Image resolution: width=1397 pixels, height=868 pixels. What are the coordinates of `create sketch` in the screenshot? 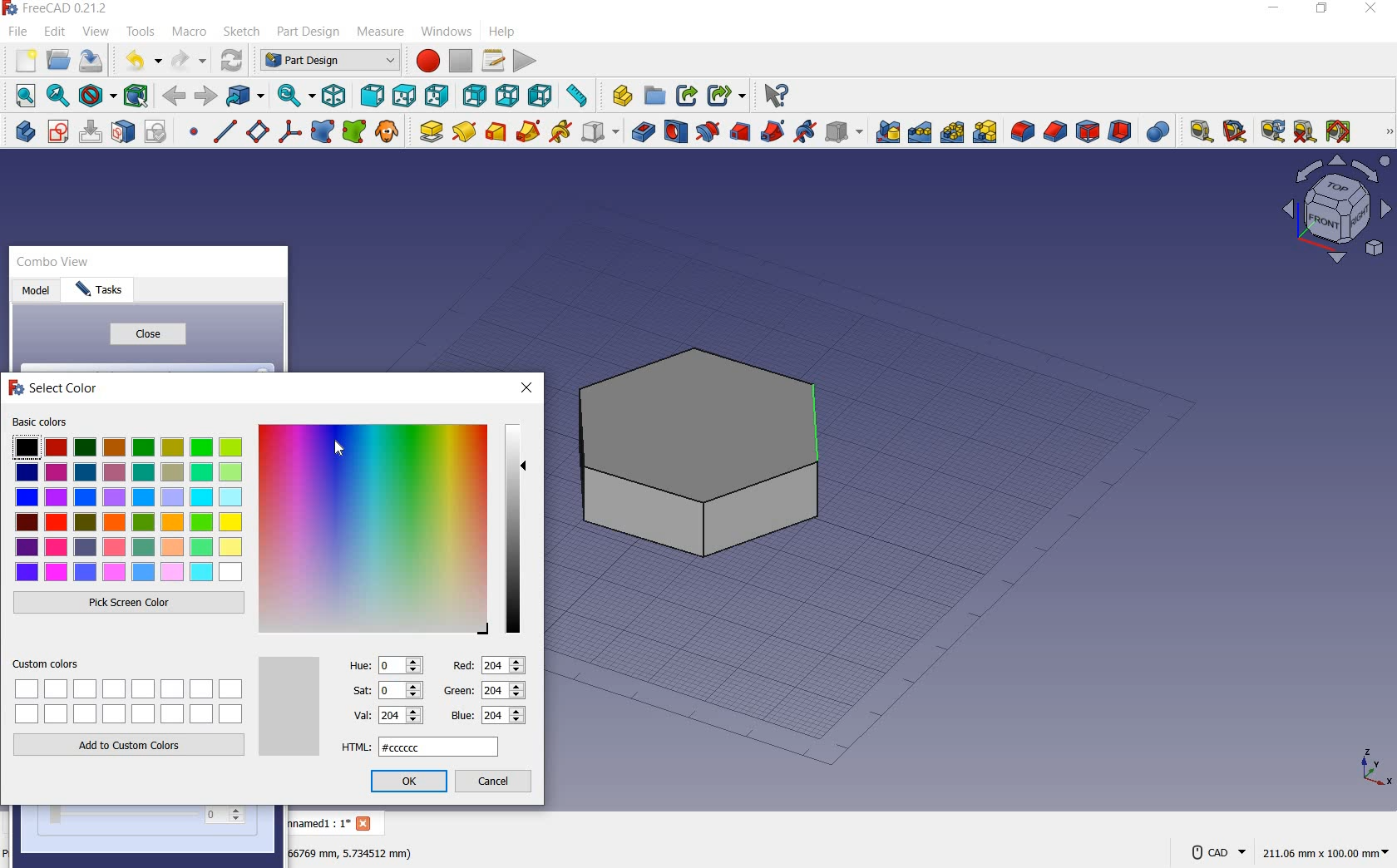 It's located at (57, 132).